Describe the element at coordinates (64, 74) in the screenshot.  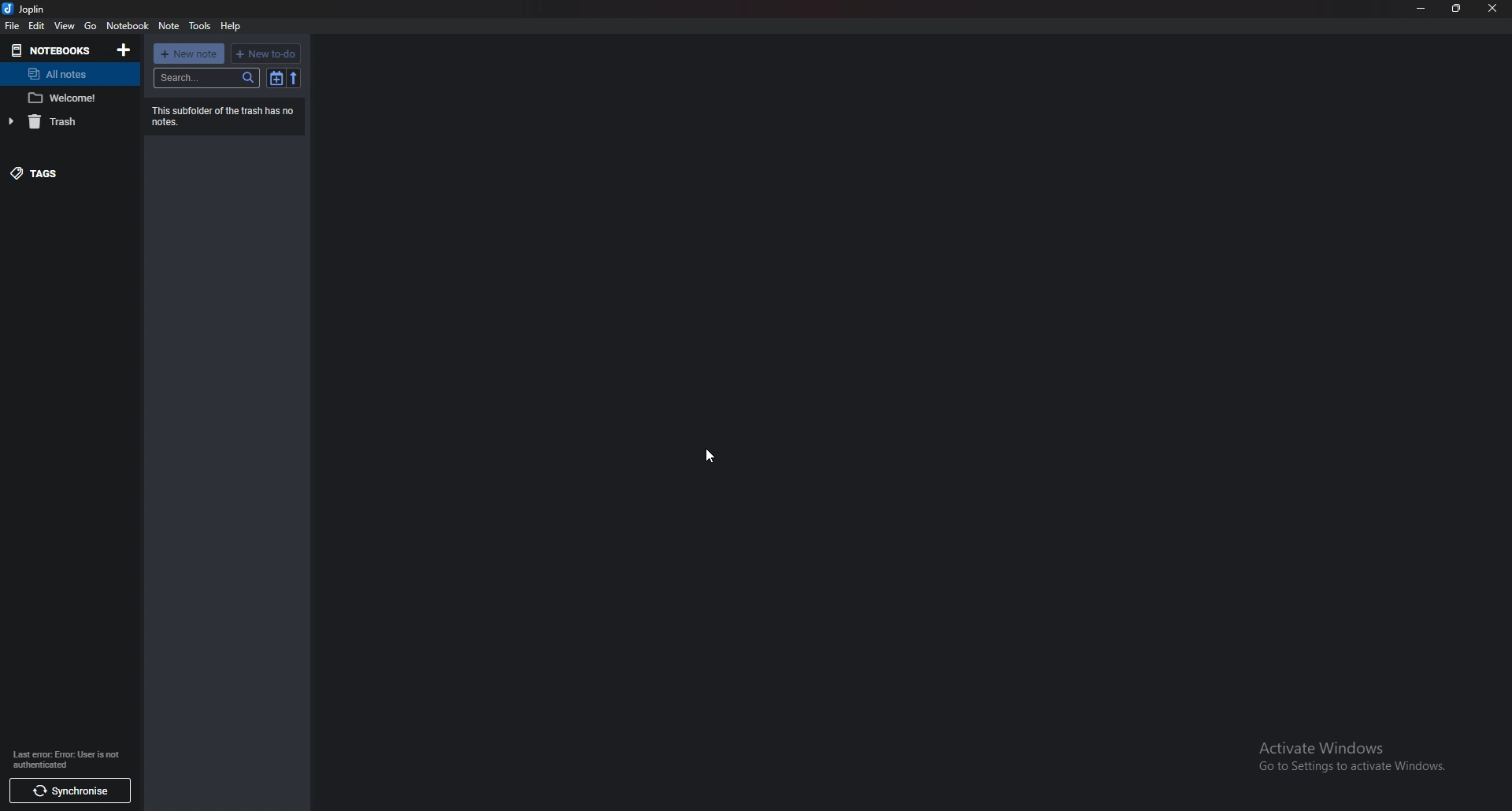
I see `All notes` at that location.